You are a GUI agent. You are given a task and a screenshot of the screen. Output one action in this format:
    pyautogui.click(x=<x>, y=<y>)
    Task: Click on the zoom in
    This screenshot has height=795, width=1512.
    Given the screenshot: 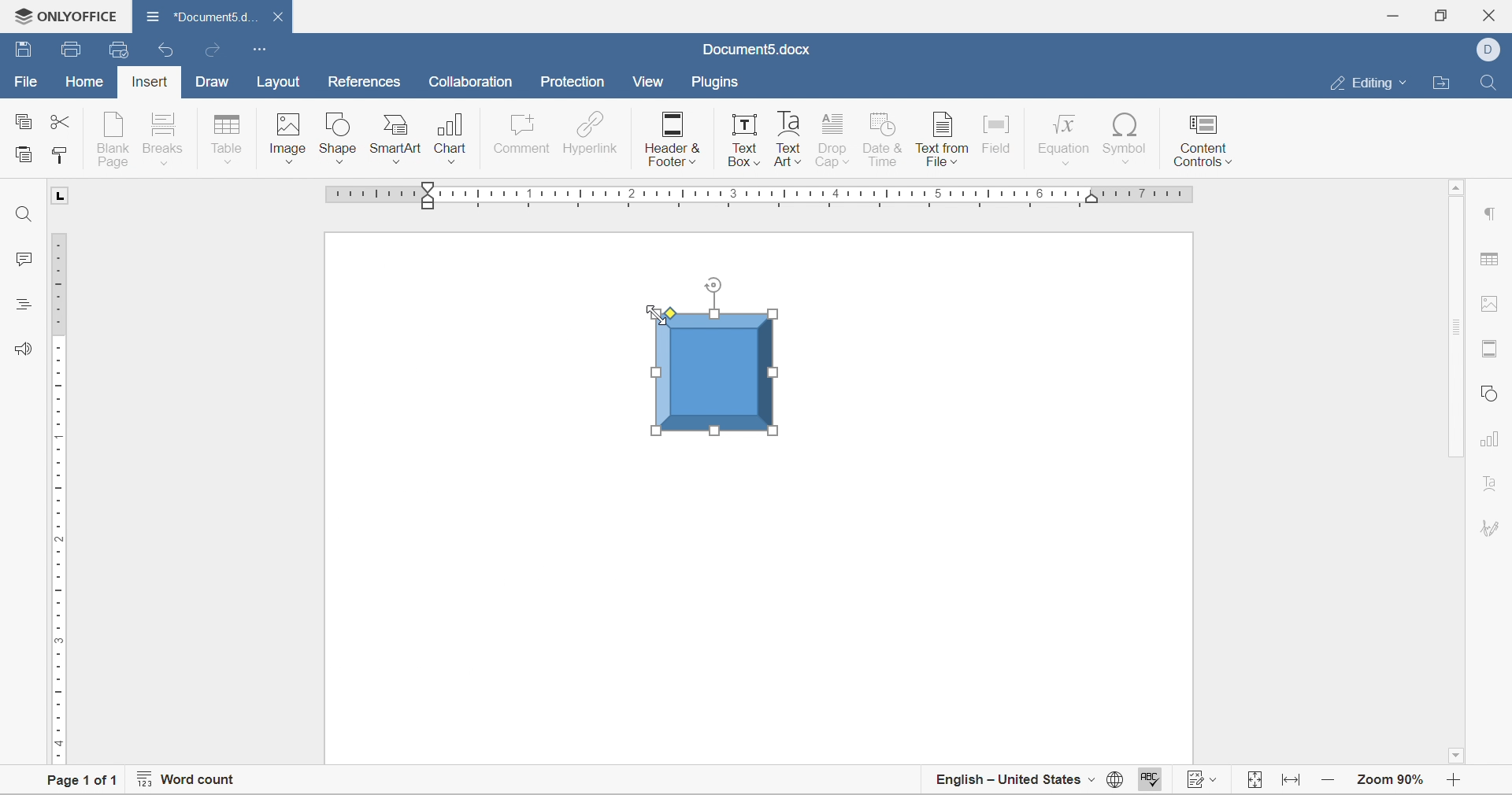 What is the action you would take?
    pyautogui.click(x=1333, y=783)
    